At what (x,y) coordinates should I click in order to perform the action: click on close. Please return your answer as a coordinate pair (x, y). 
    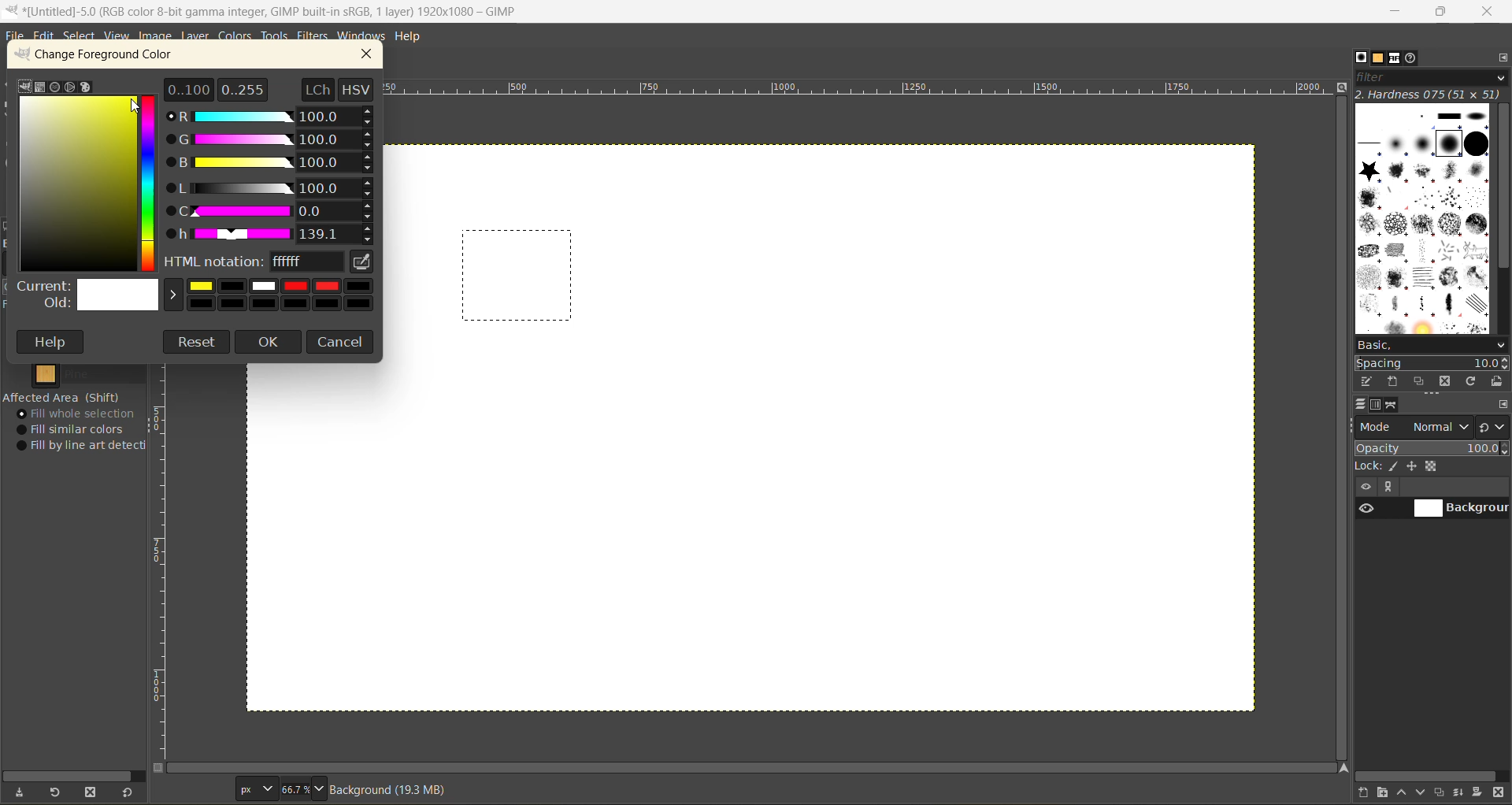
    Looking at the image, I should click on (372, 54).